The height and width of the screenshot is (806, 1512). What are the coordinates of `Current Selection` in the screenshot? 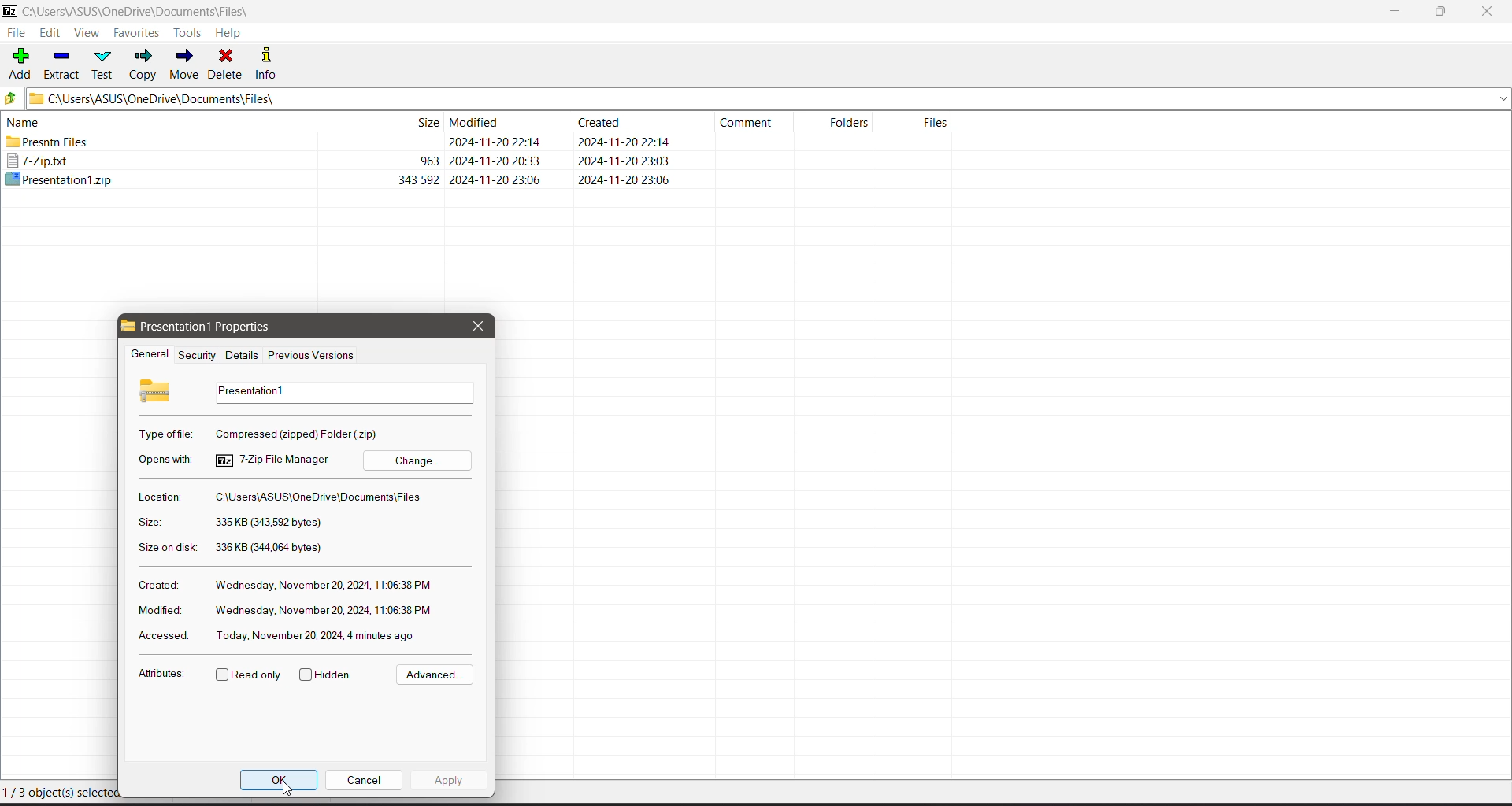 It's located at (56, 792).